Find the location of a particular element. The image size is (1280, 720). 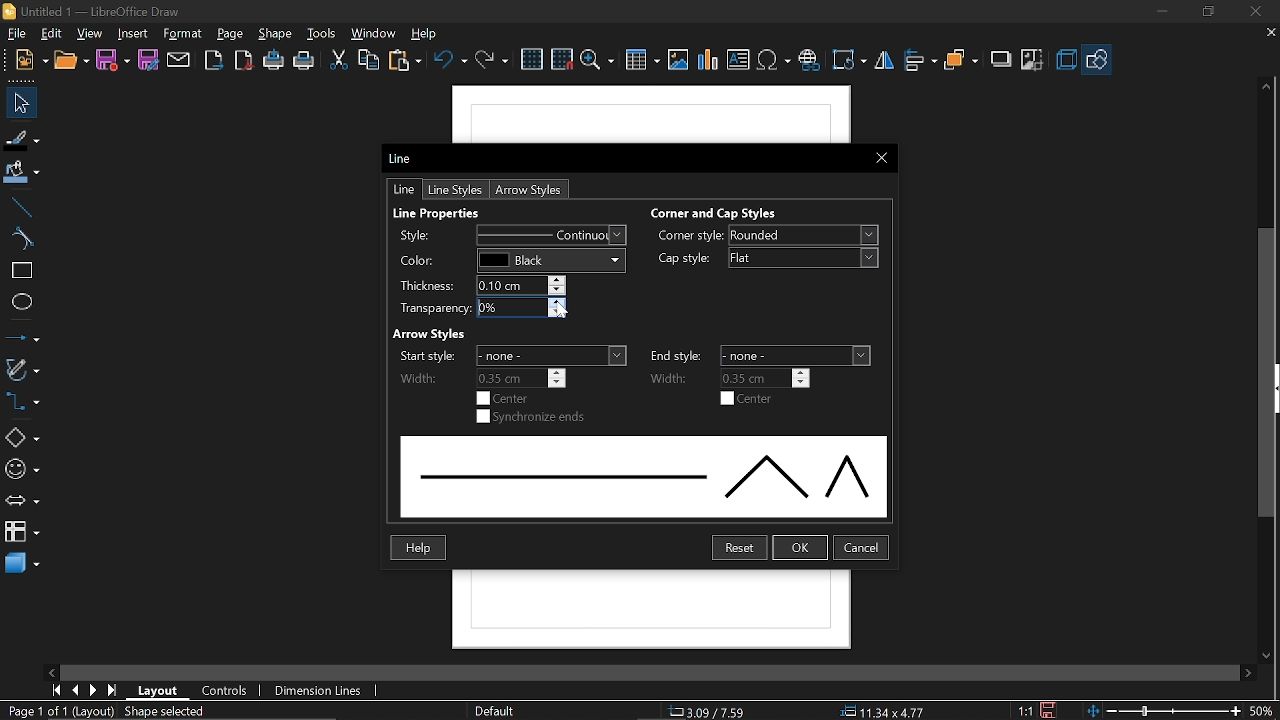

fill line is located at coordinates (22, 140).